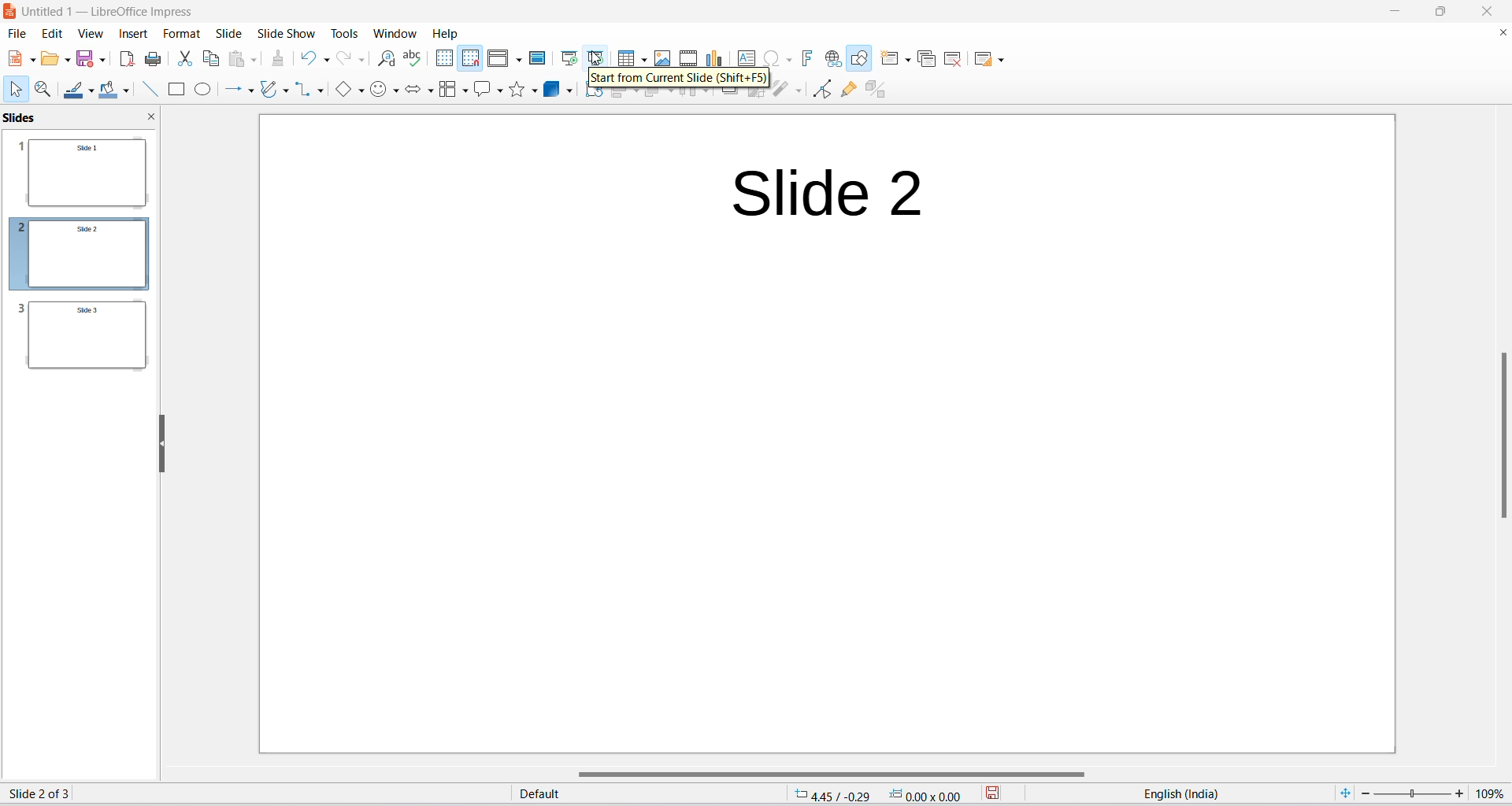 This screenshot has width=1512, height=806. Describe the element at coordinates (672, 98) in the screenshot. I see `arrange options` at that location.